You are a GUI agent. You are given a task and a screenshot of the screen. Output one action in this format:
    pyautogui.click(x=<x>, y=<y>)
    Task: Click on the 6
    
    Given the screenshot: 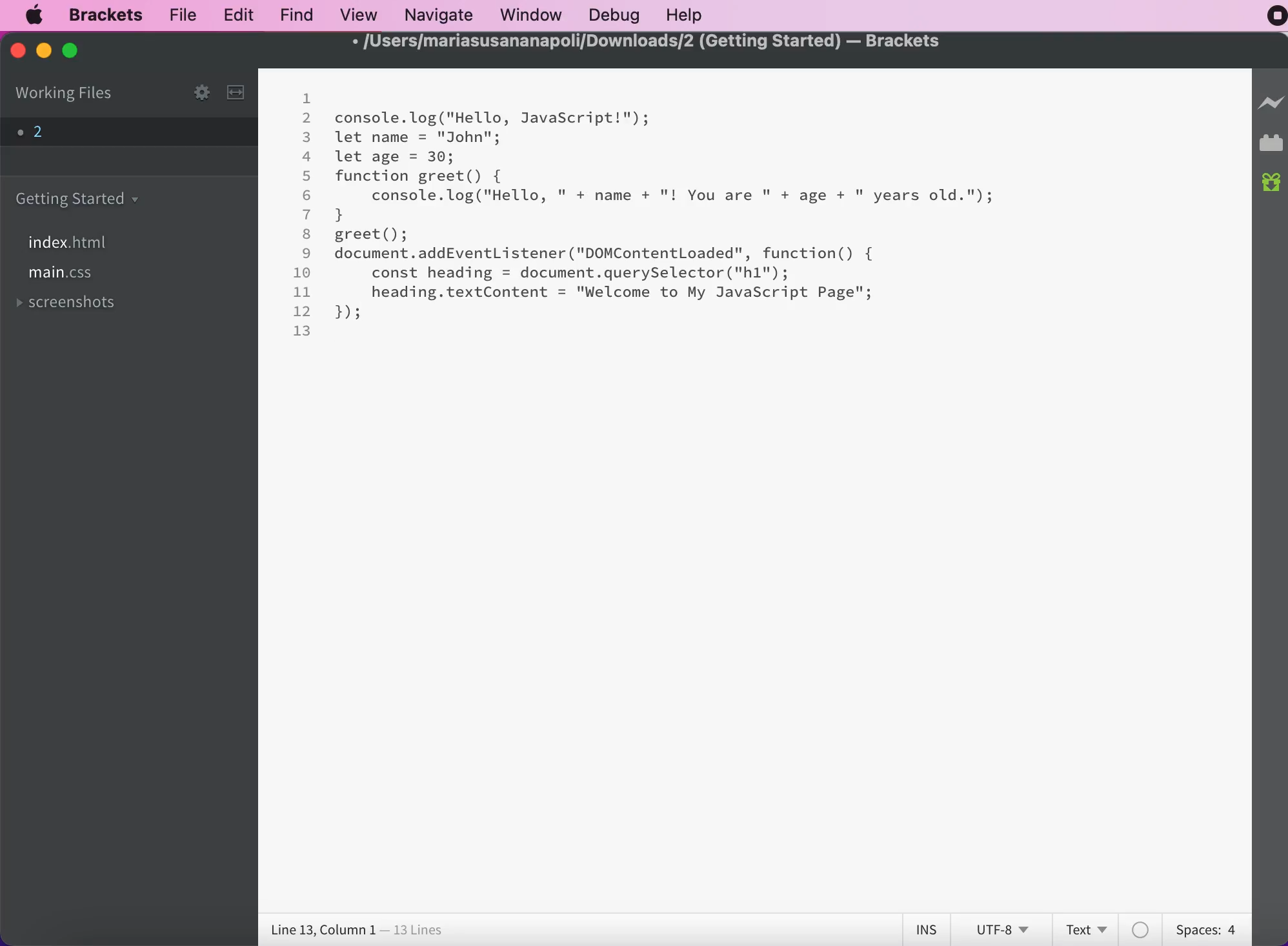 What is the action you would take?
    pyautogui.click(x=308, y=195)
    